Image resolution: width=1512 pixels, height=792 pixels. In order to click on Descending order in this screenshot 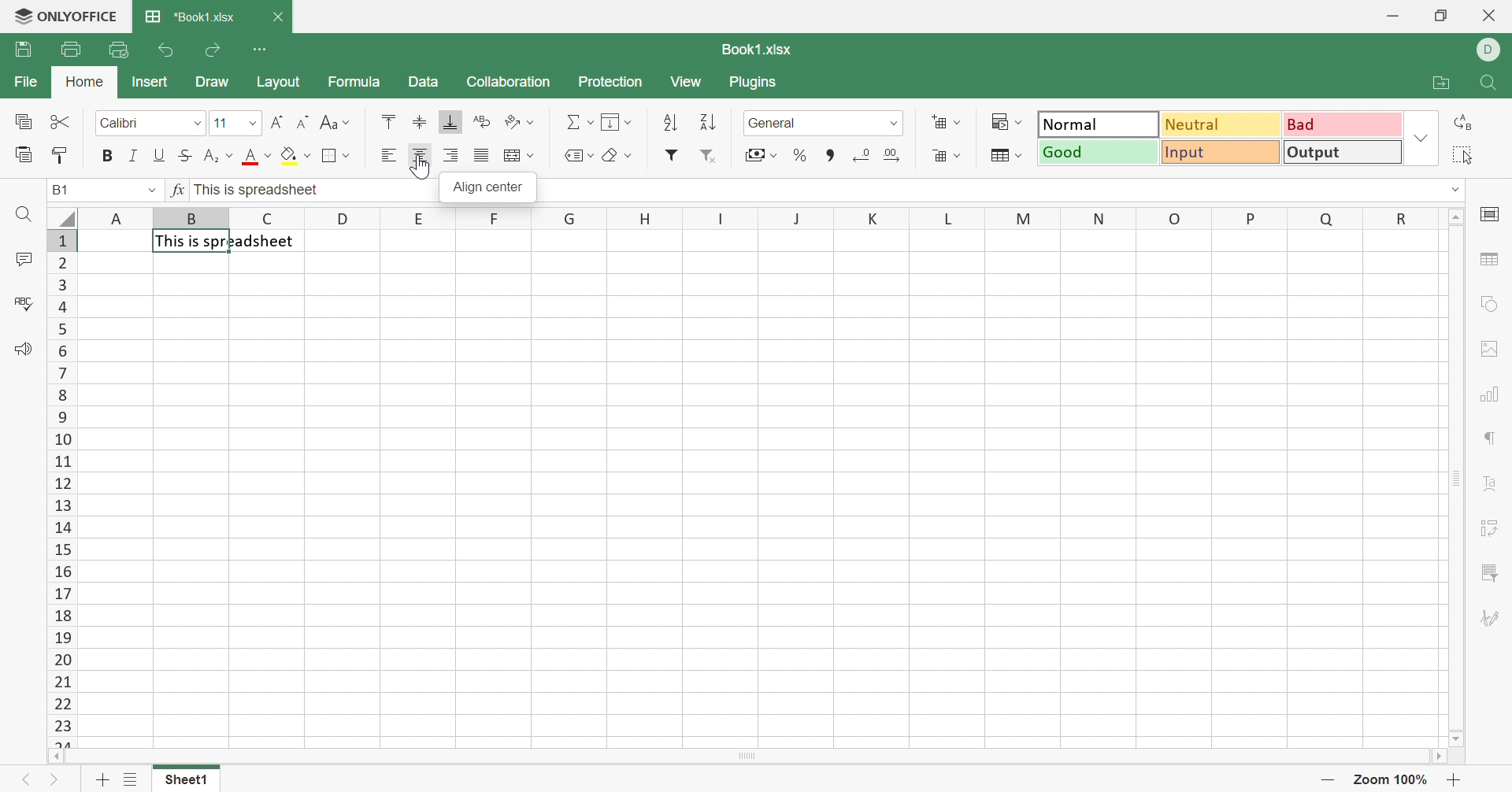, I will do `click(706, 120)`.